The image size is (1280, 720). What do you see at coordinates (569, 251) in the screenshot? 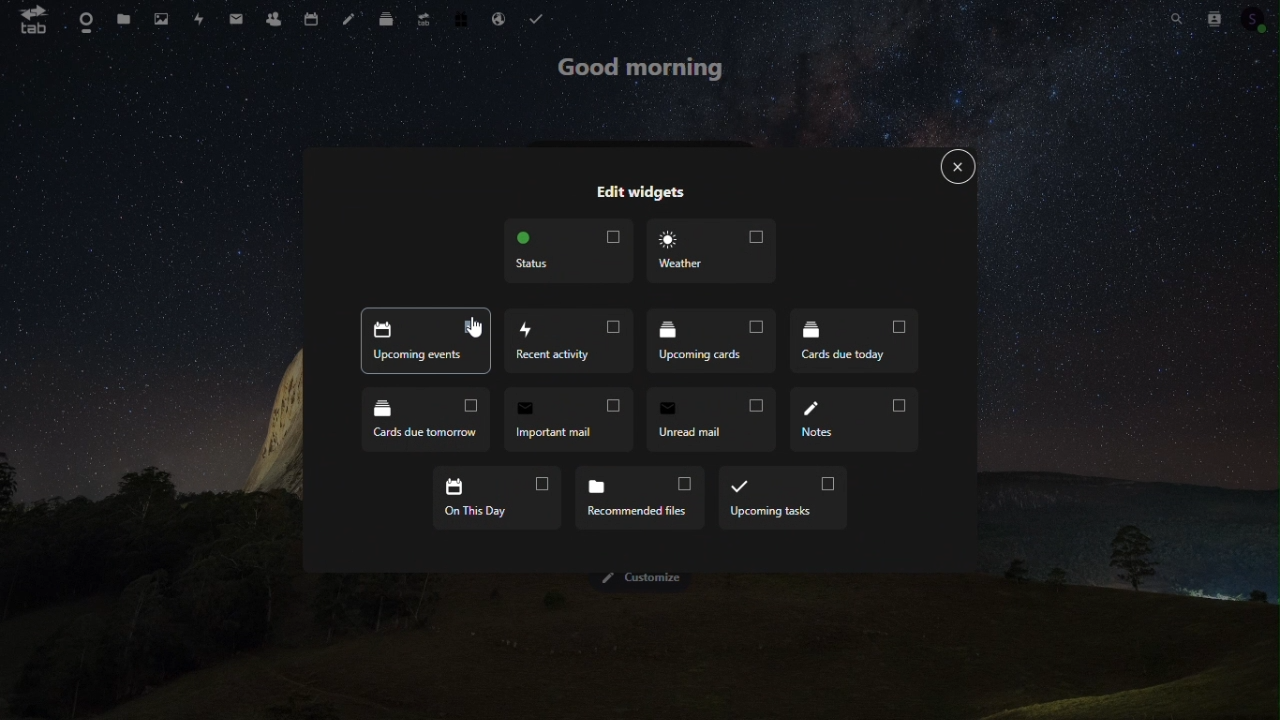
I see `Status` at bounding box center [569, 251].